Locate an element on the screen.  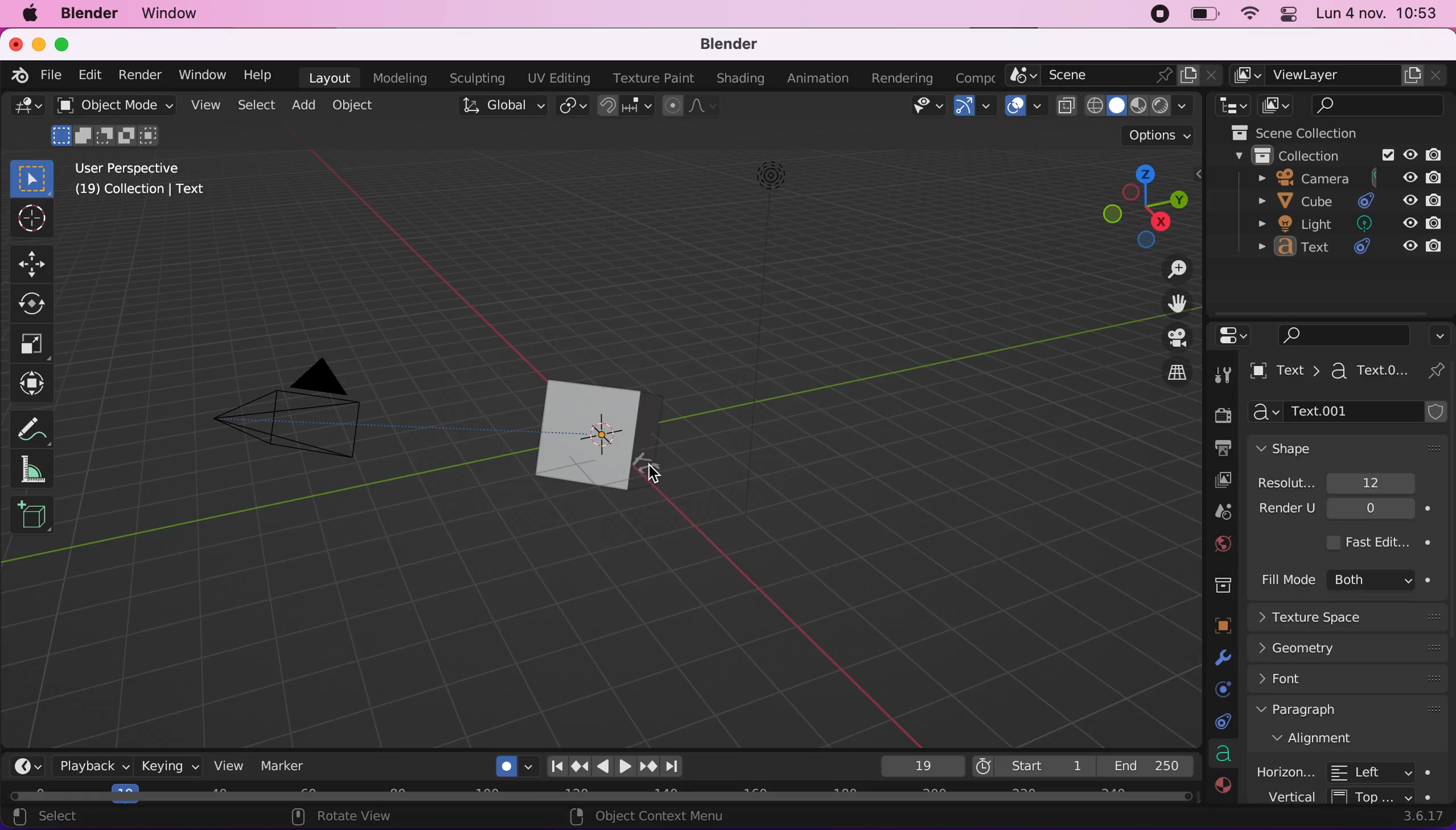
move is located at coordinates (39, 263).